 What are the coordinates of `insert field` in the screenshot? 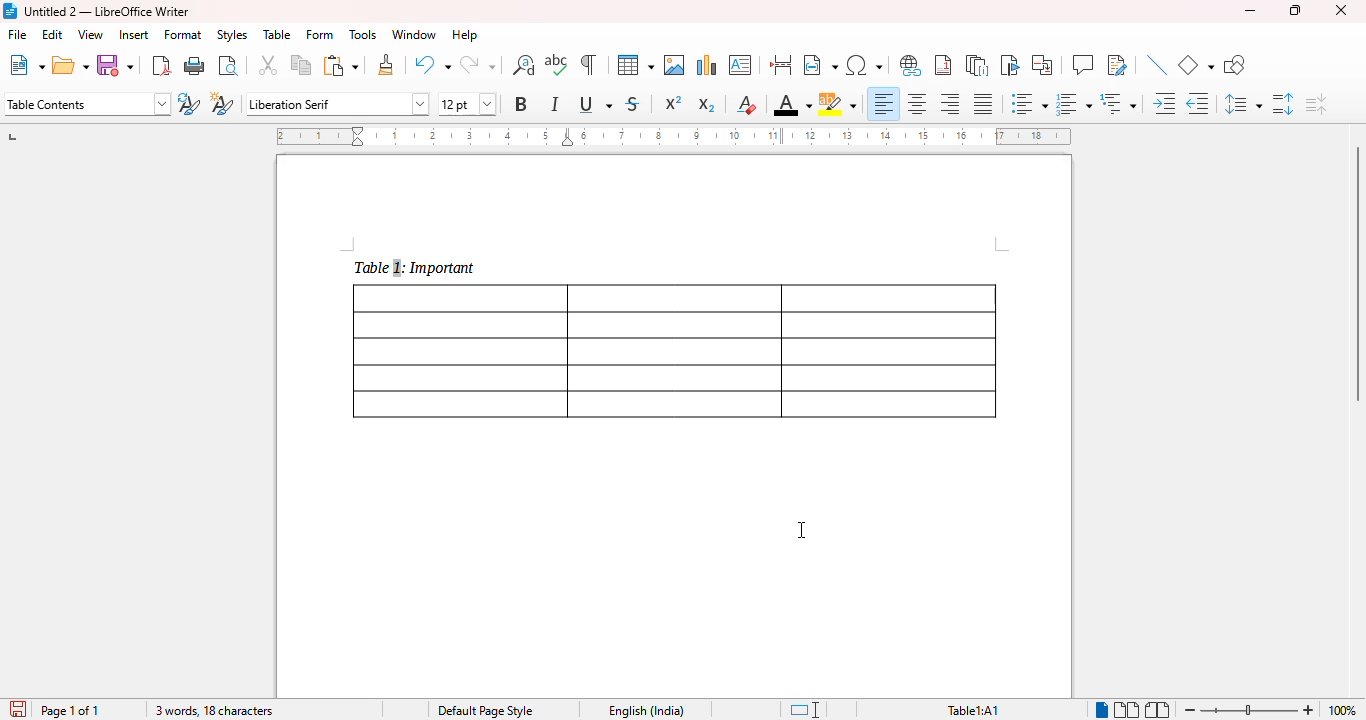 It's located at (821, 64).